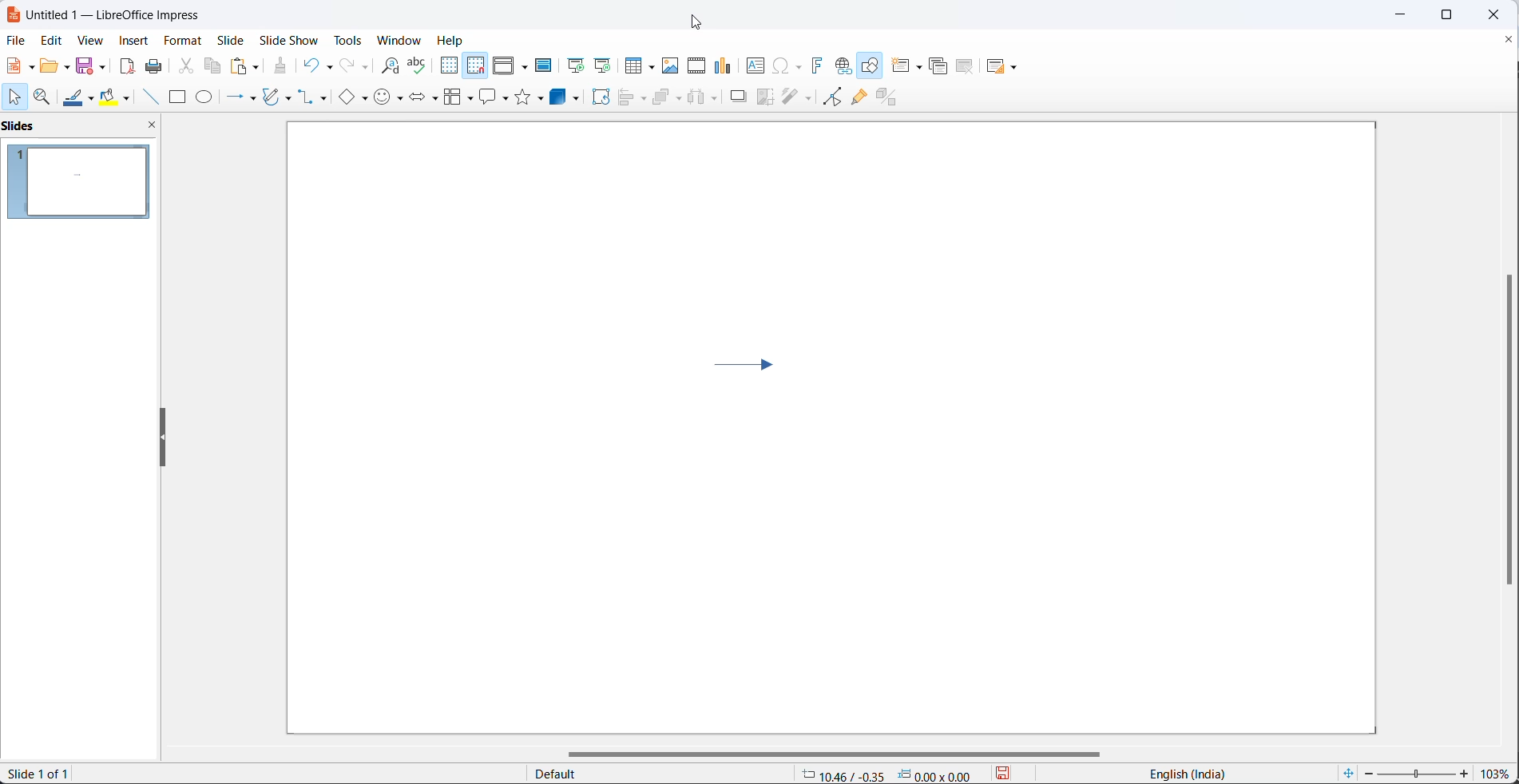  Describe the element at coordinates (1400, 14) in the screenshot. I see `minimize` at that location.